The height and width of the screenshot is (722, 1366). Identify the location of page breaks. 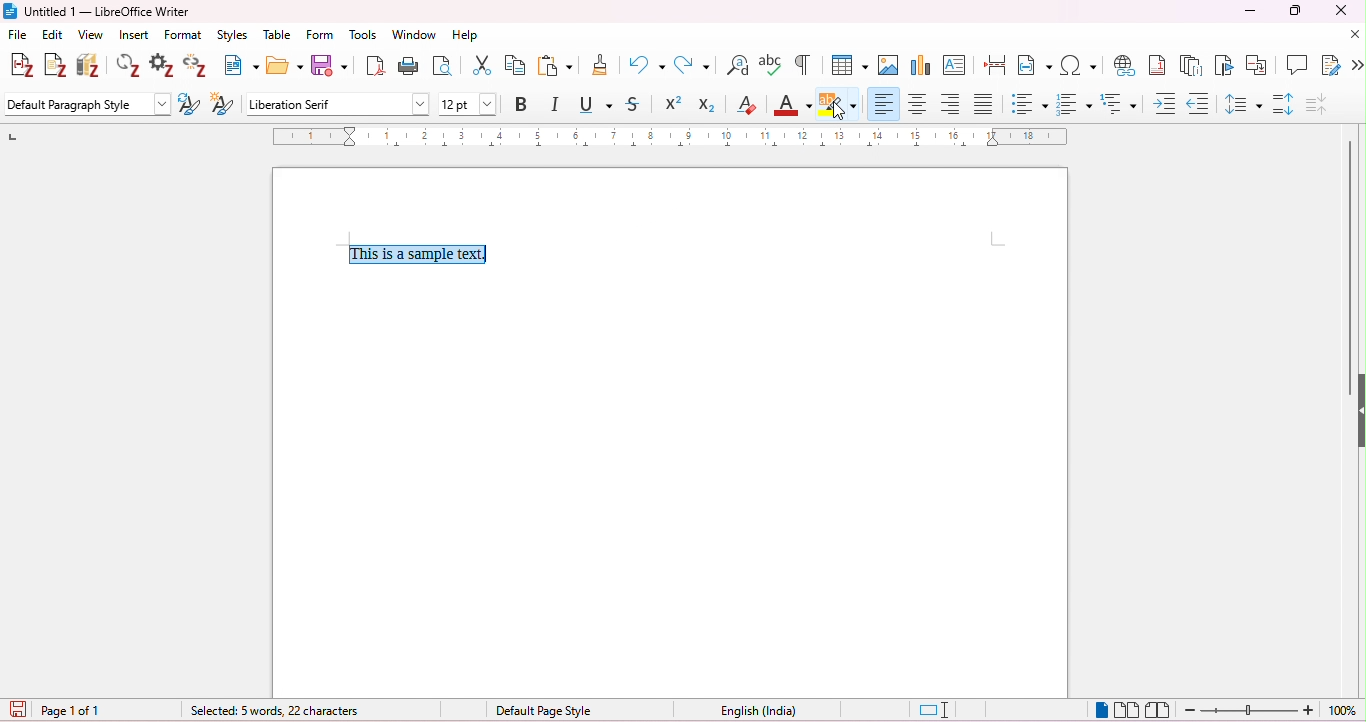
(995, 65).